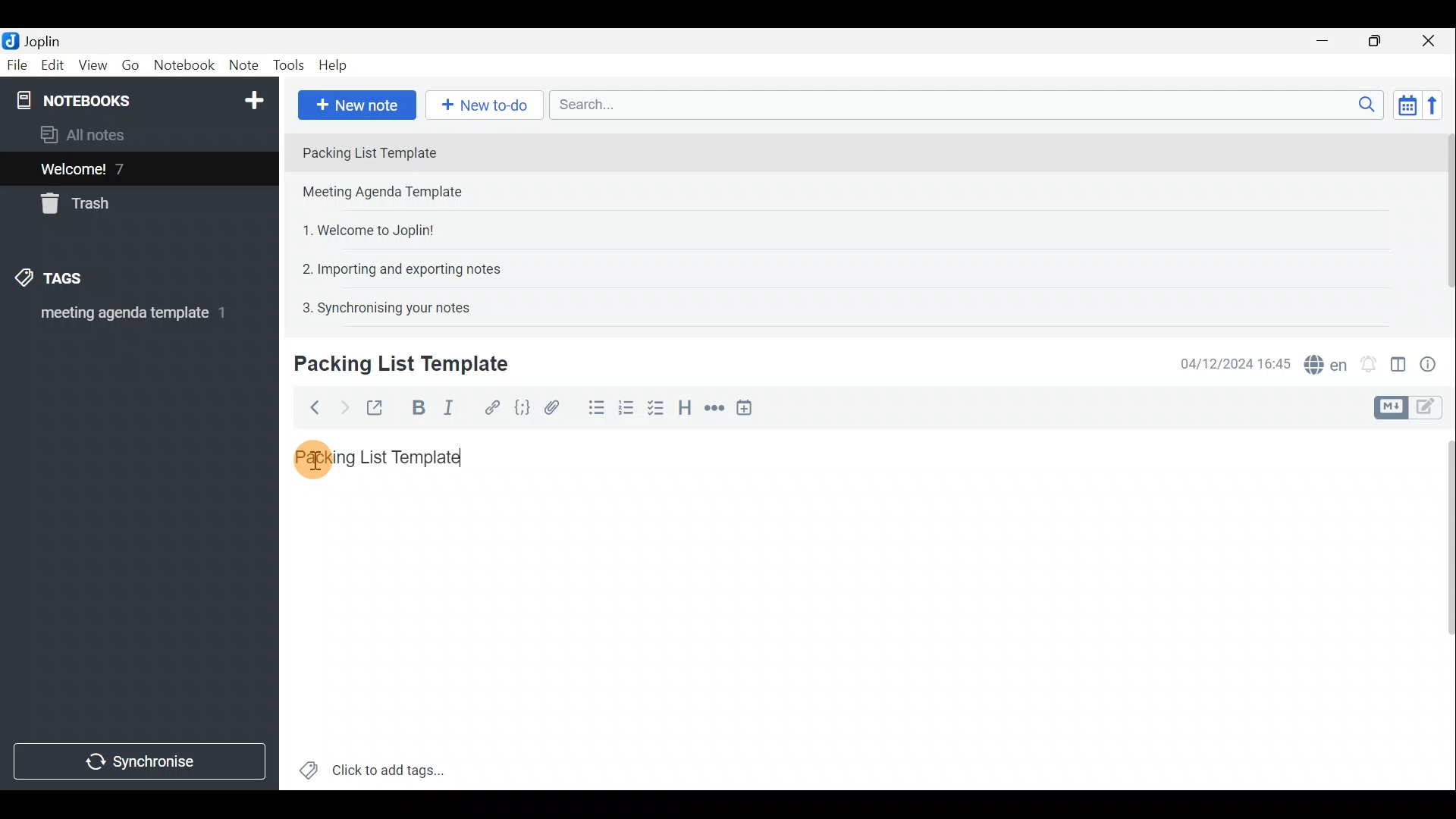  What do you see at coordinates (290, 66) in the screenshot?
I see `Tools` at bounding box center [290, 66].